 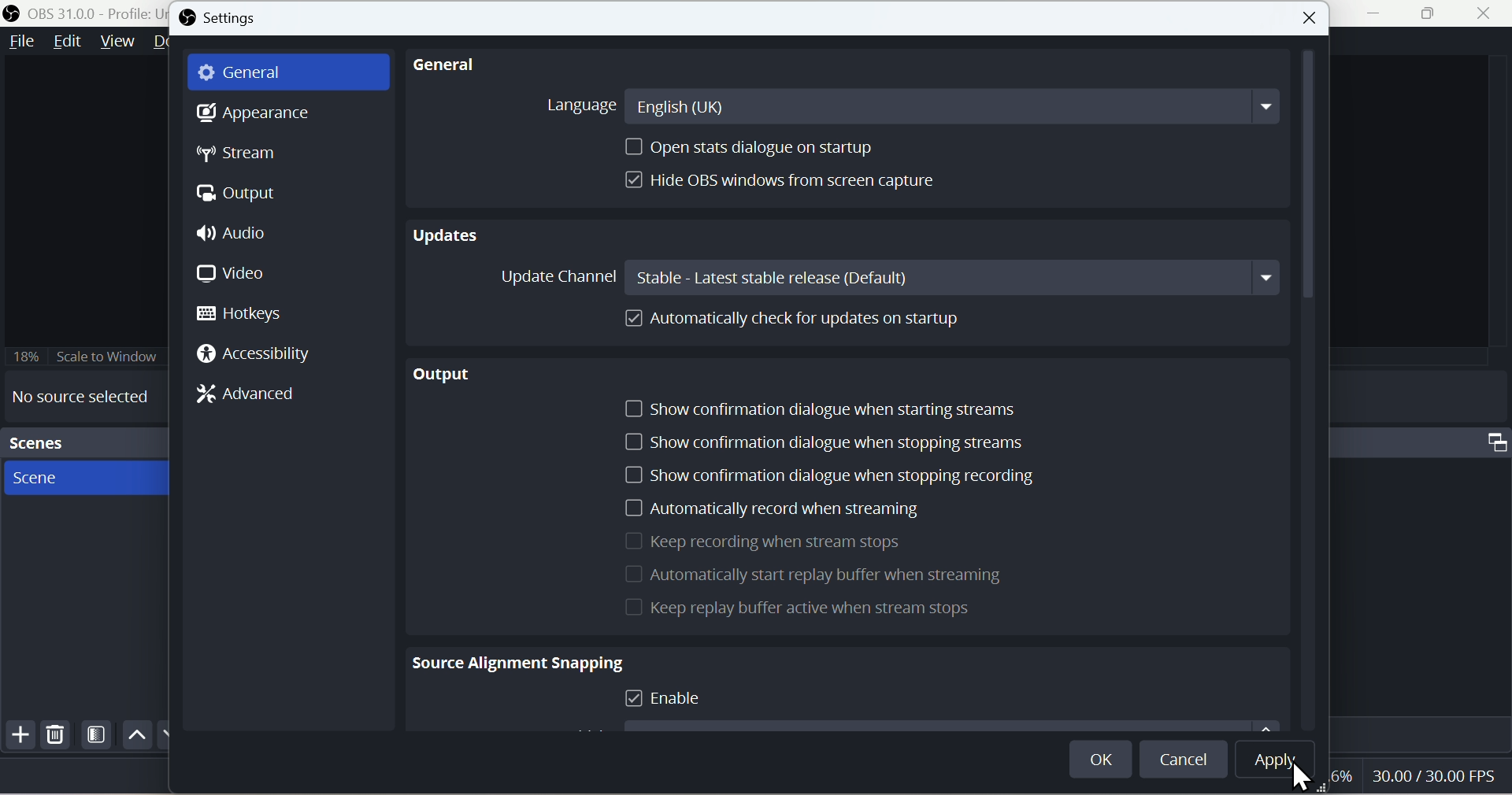 I want to click on Accessibility, so click(x=253, y=354).